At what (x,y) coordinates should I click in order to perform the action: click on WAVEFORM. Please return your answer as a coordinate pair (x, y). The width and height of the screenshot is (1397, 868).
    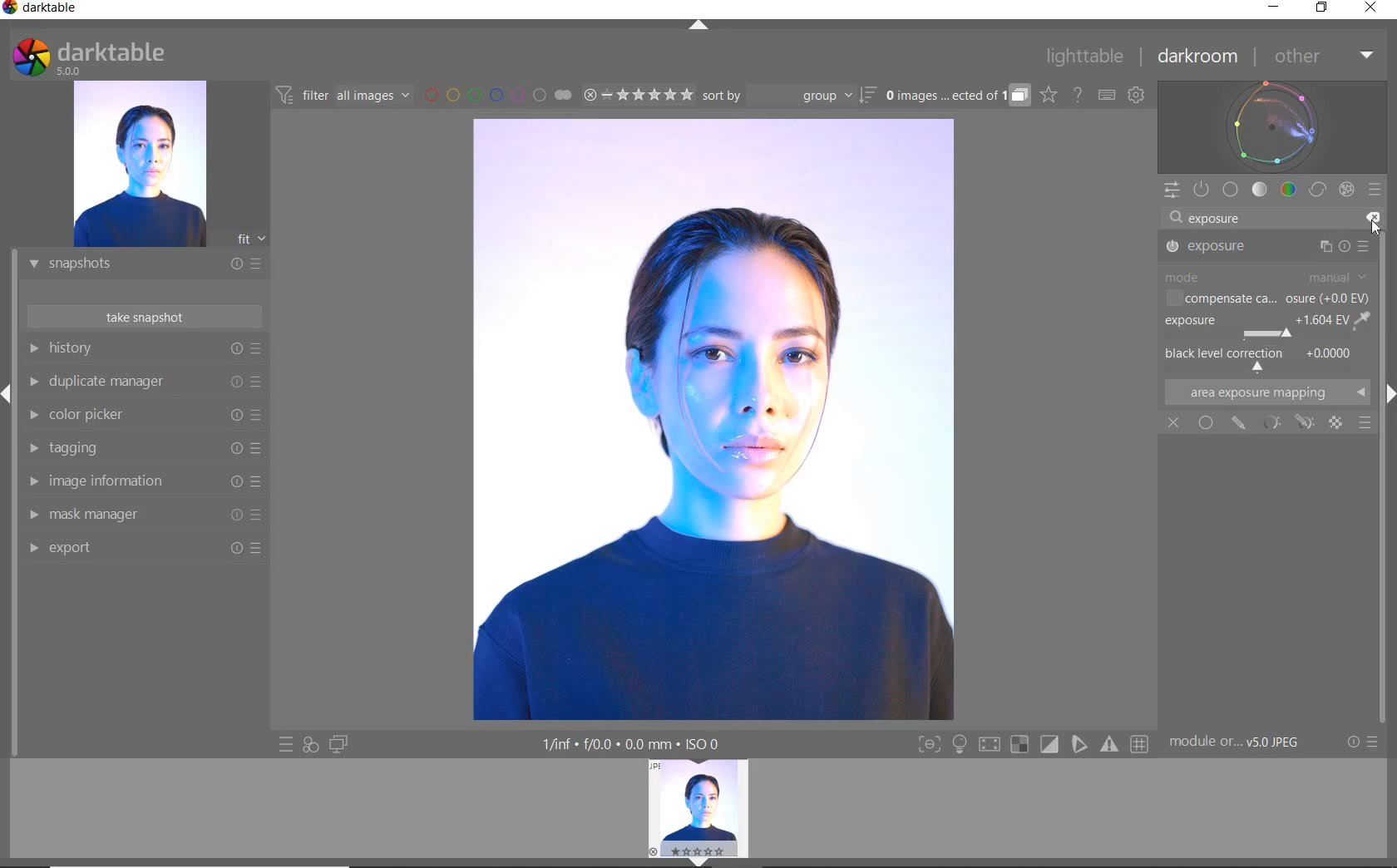
    Looking at the image, I should click on (1272, 126).